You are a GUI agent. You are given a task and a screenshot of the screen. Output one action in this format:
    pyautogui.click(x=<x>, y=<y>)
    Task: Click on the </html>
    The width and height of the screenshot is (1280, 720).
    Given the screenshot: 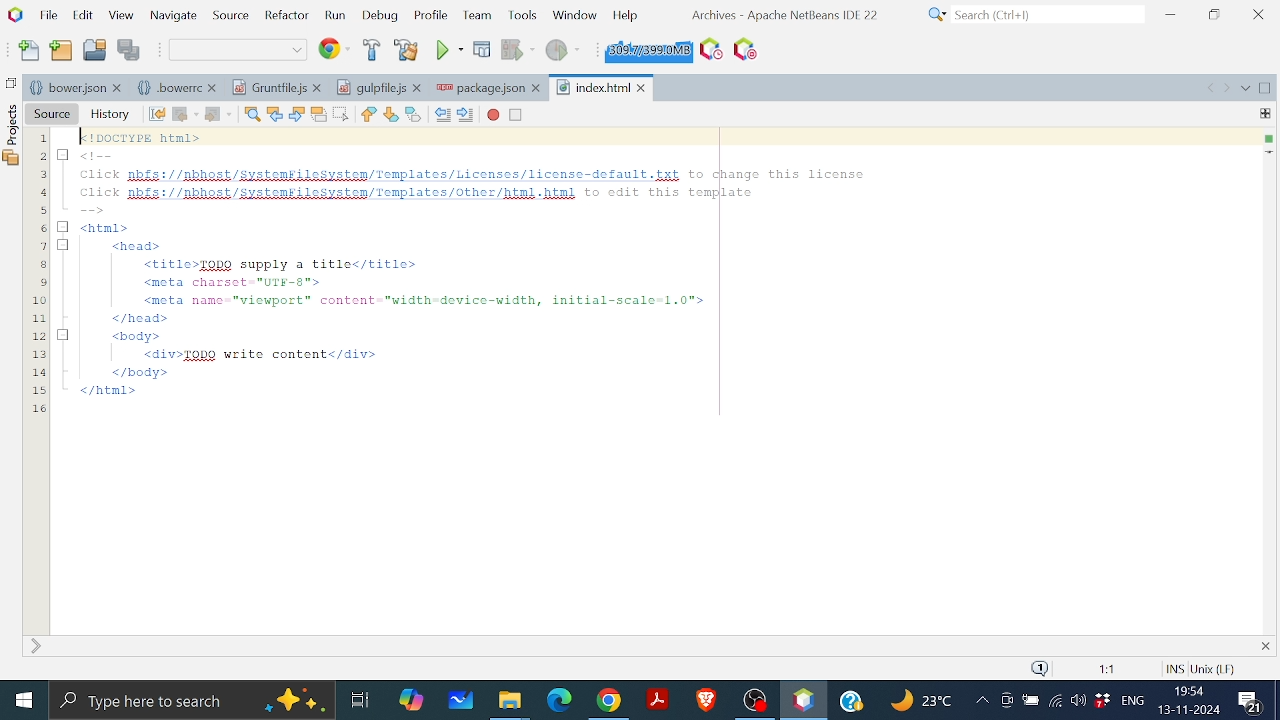 What is the action you would take?
    pyautogui.click(x=111, y=392)
    